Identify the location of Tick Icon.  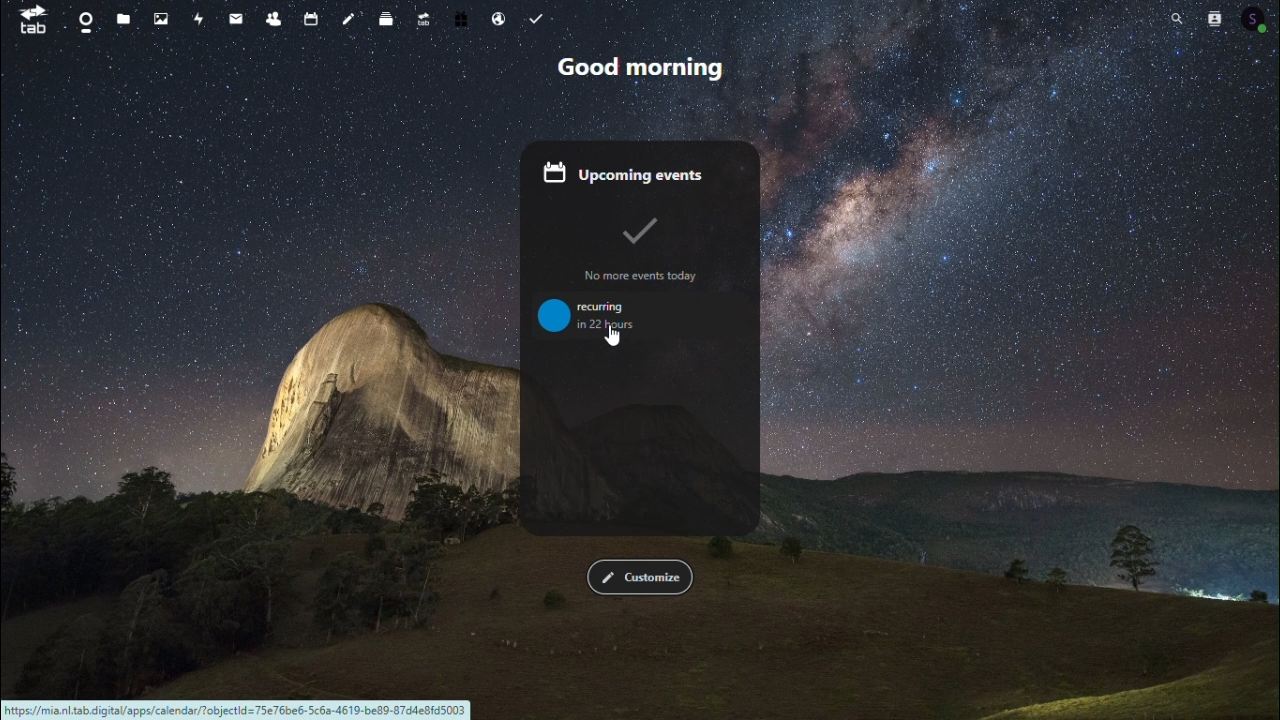
(640, 232).